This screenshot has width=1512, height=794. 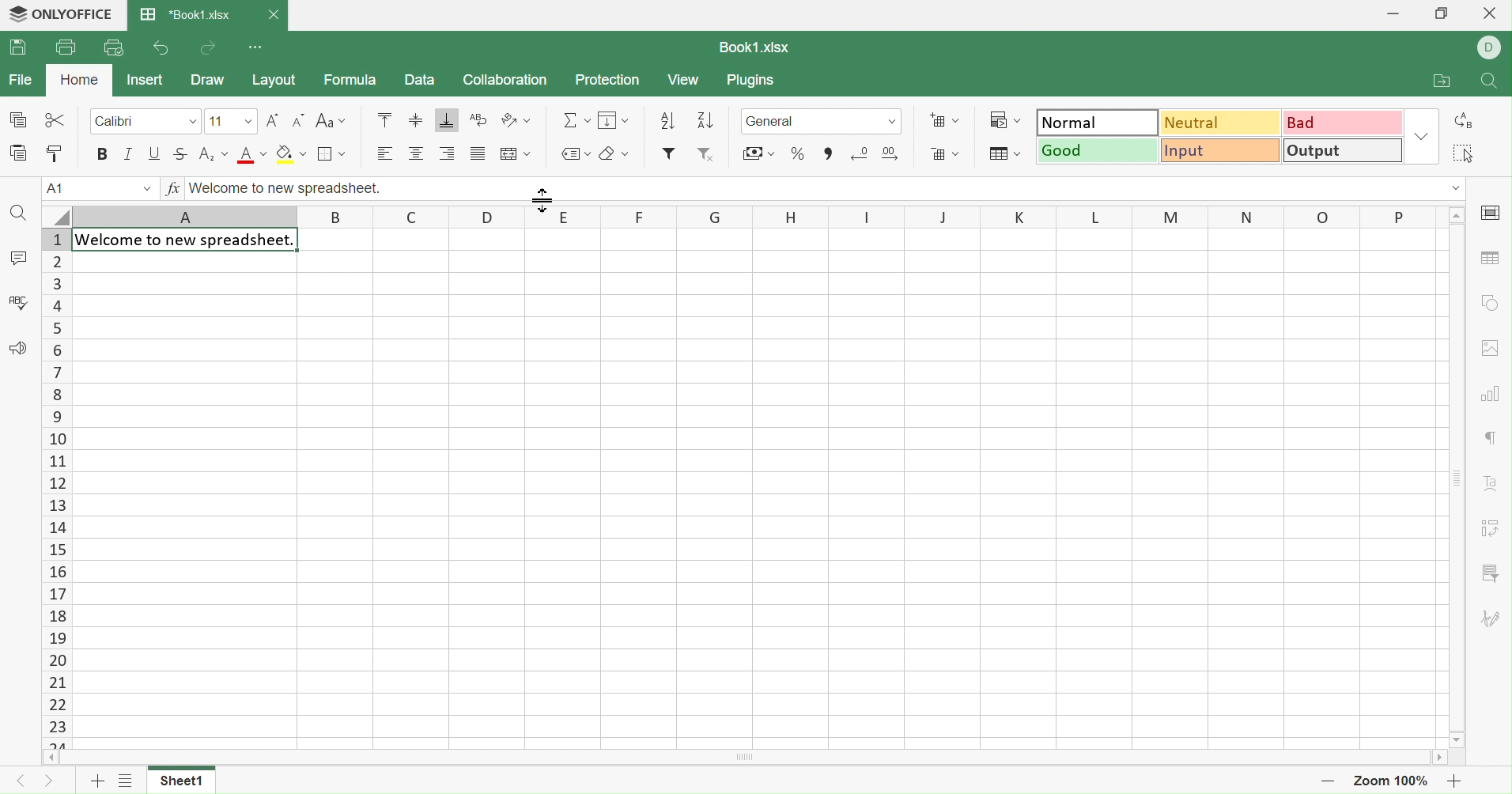 I want to click on Close, so click(x=1487, y=16).